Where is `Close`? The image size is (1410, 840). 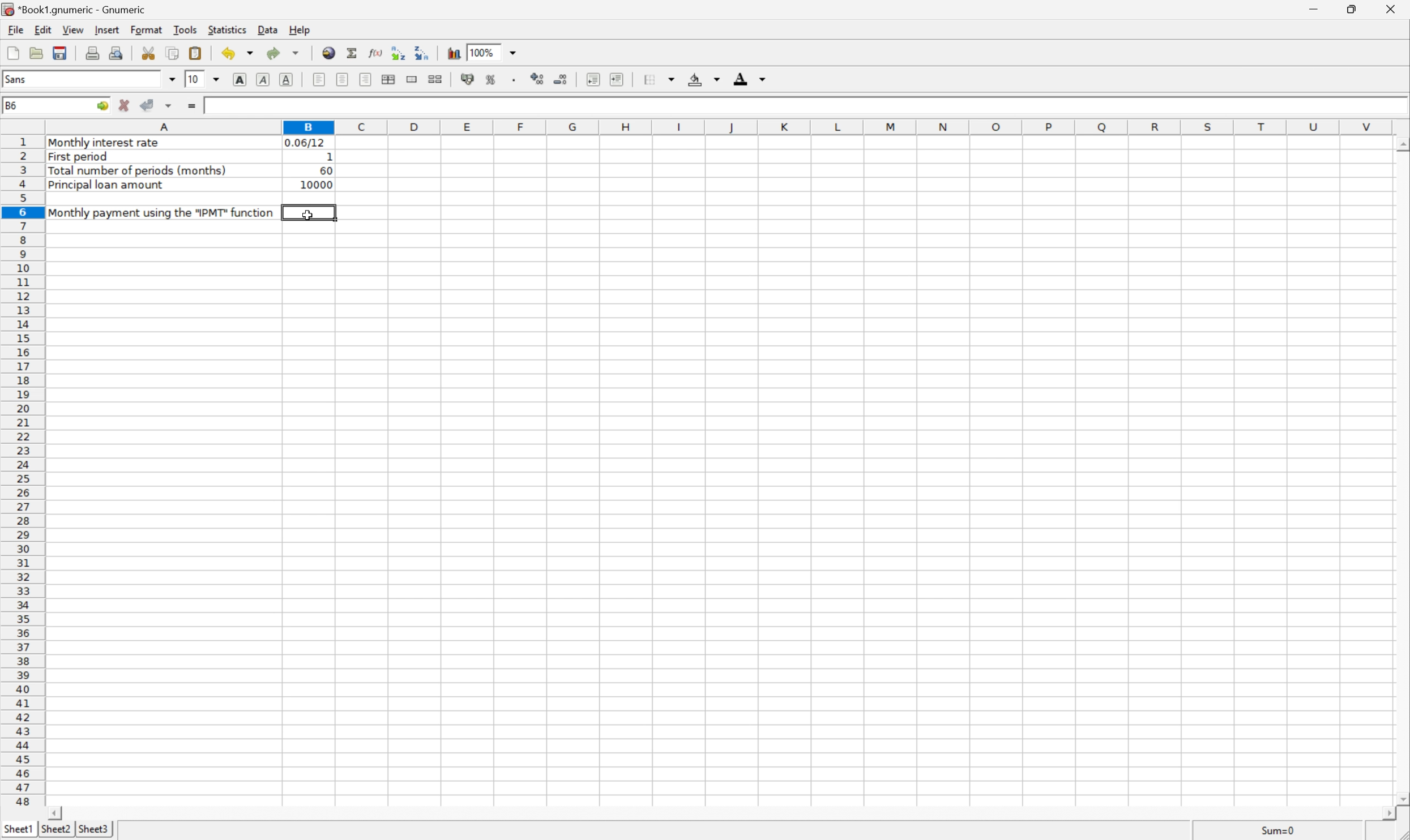
Close is located at coordinates (1392, 8).